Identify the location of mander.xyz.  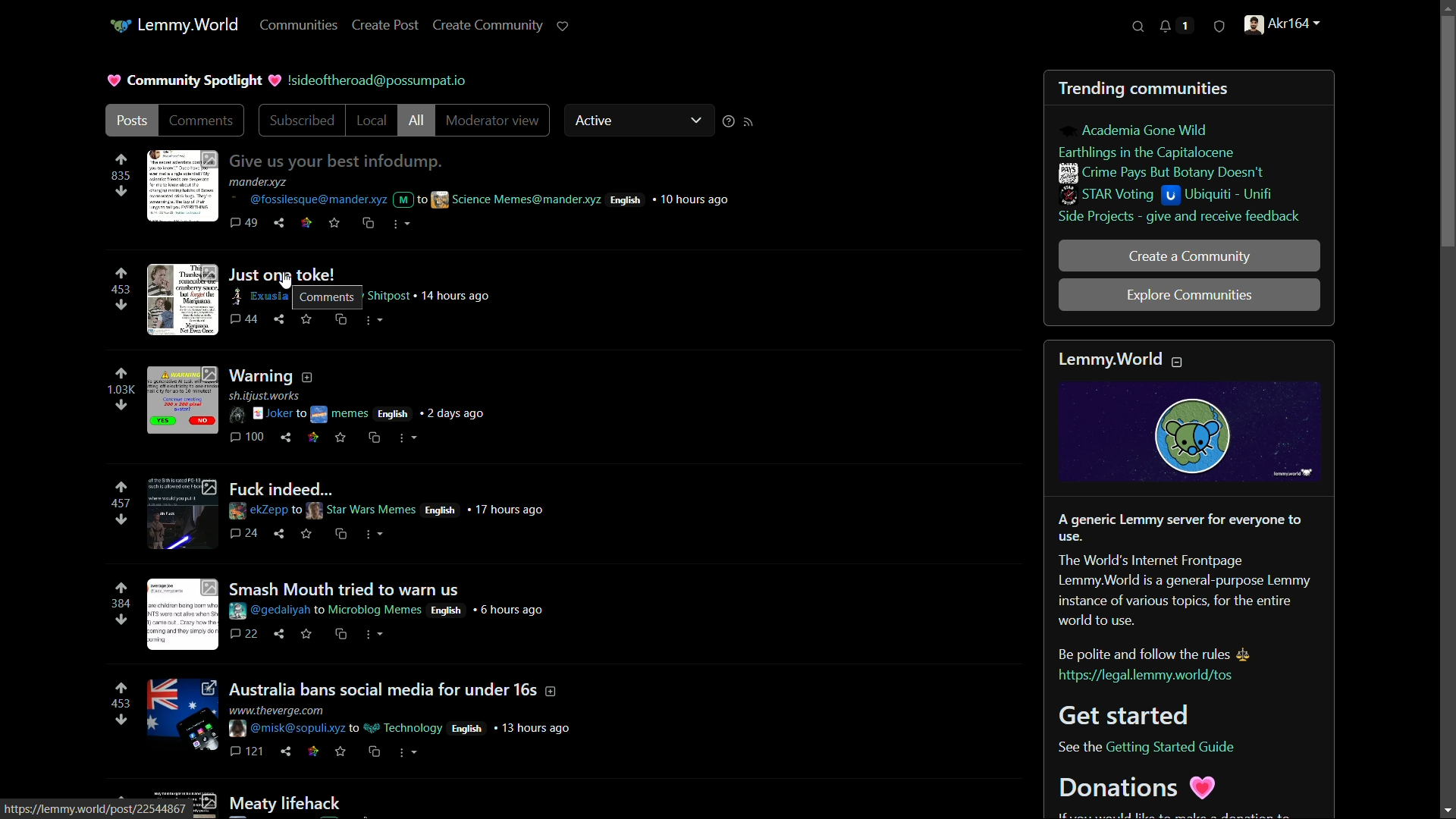
(262, 182).